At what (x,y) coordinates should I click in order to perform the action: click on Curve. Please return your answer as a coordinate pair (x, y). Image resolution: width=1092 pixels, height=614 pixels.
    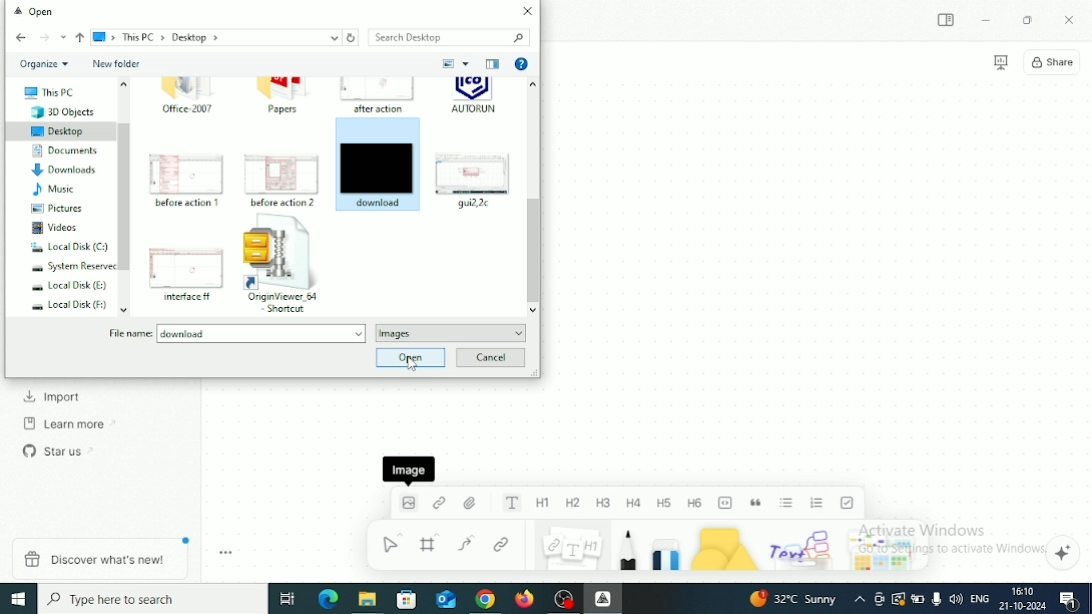
    Looking at the image, I should click on (470, 543).